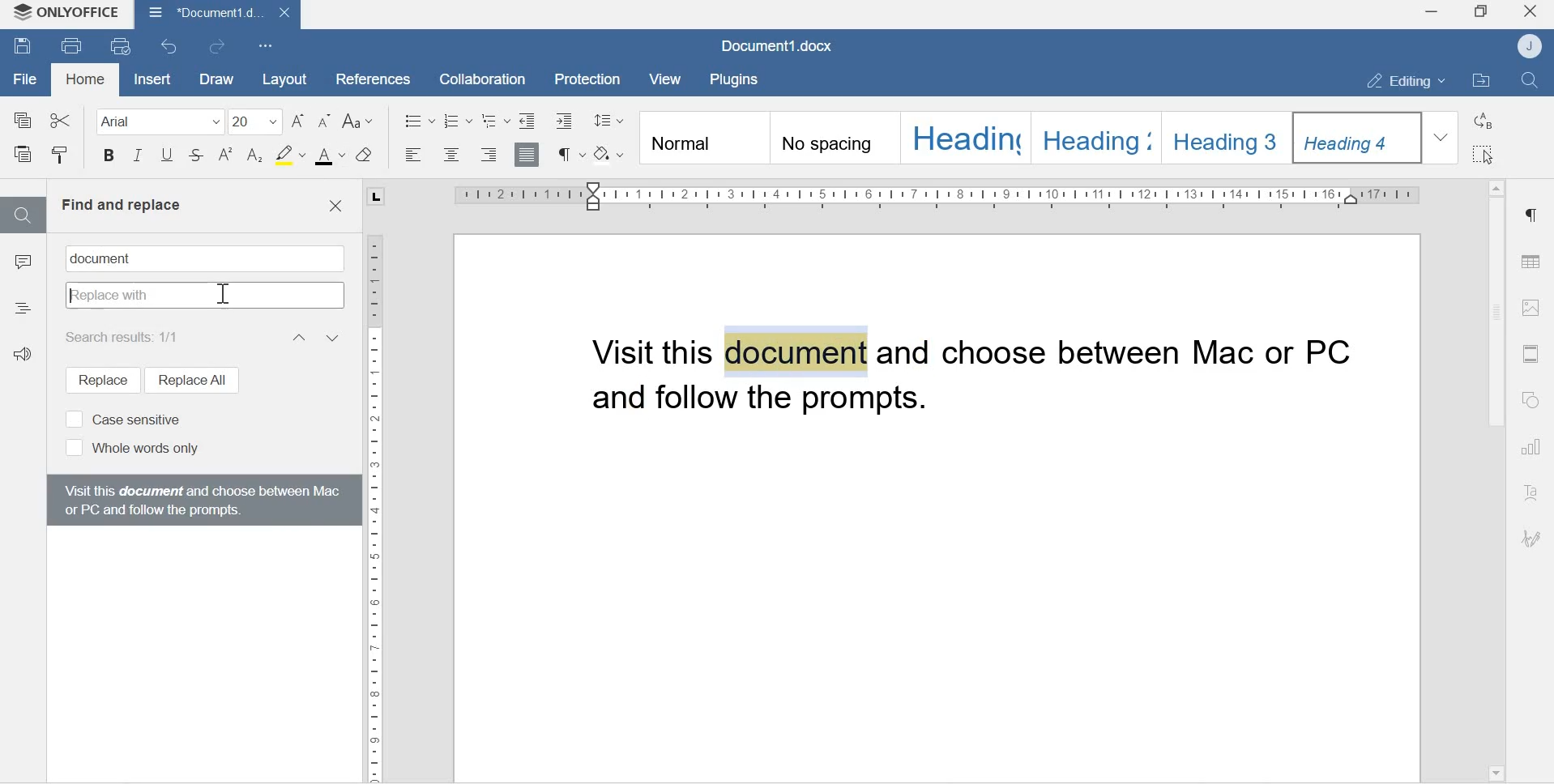 The height and width of the screenshot is (784, 1554). I want to click on document, so click(107, 258).